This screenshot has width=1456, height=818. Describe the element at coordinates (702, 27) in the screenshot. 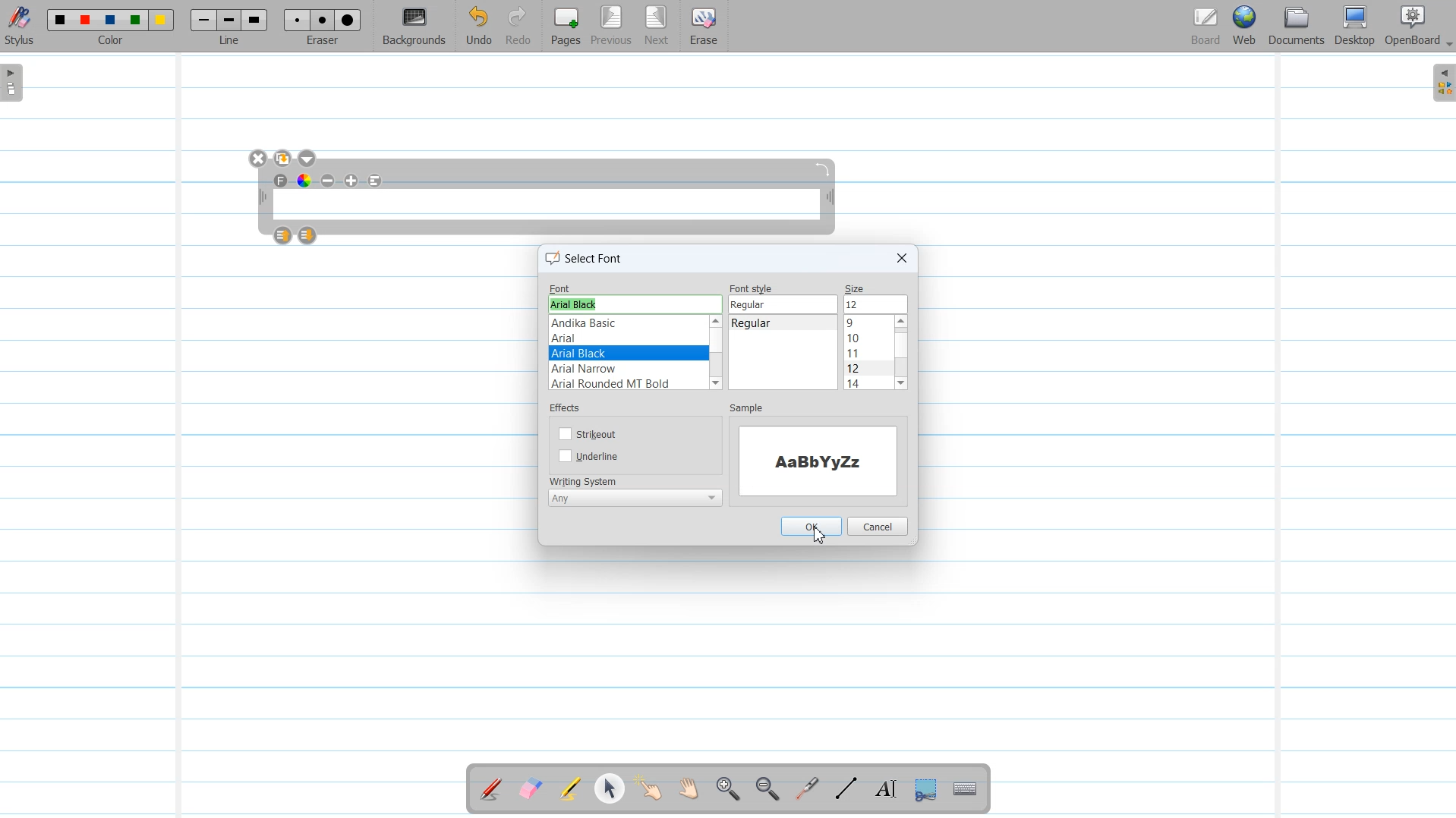

I see `Erase` at that location.